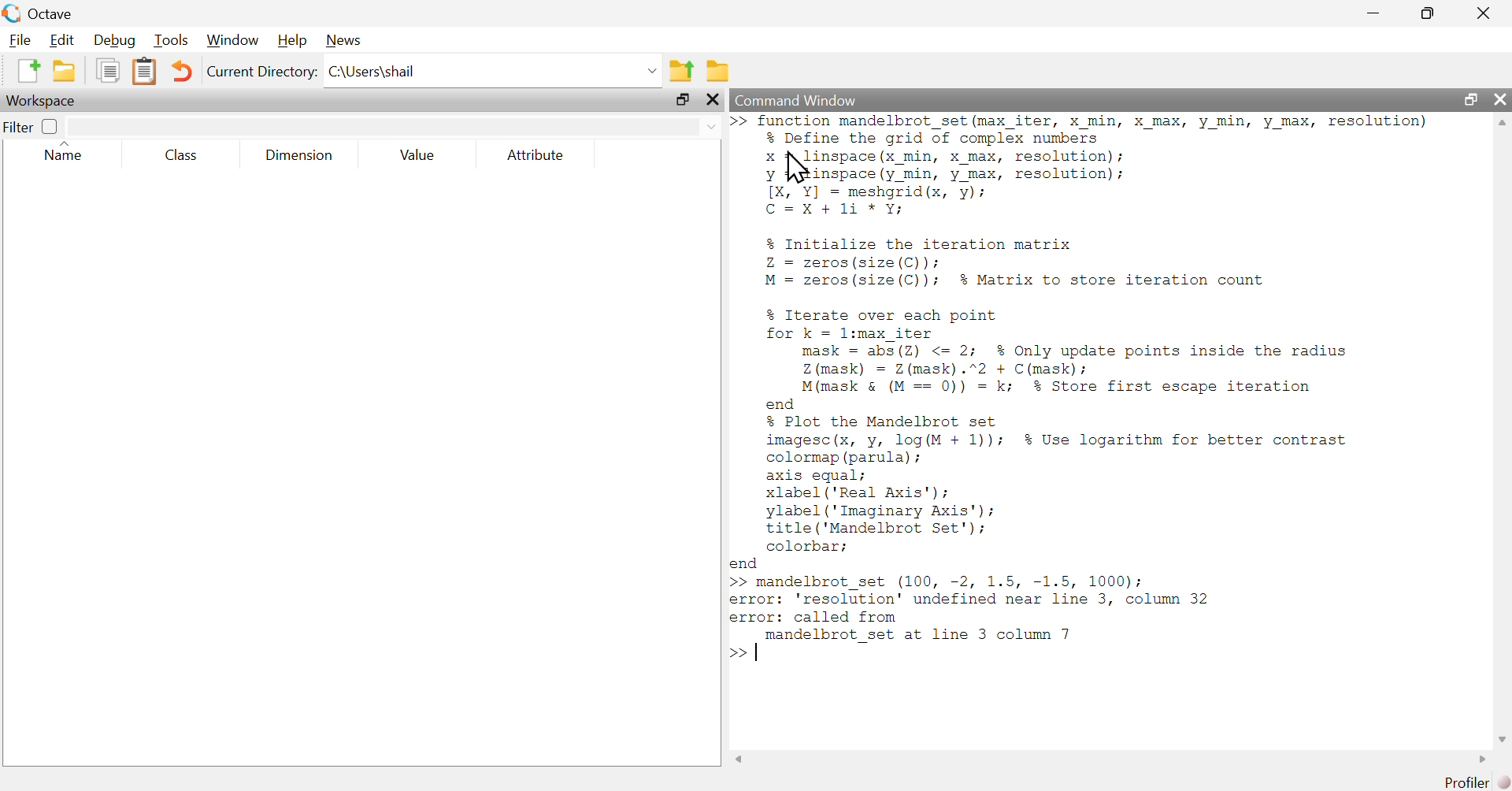 This screenshot has height=791, width=1512. Describe the element at coordinates (46, 101) in the screenshot. I see `Workspace` at that location.